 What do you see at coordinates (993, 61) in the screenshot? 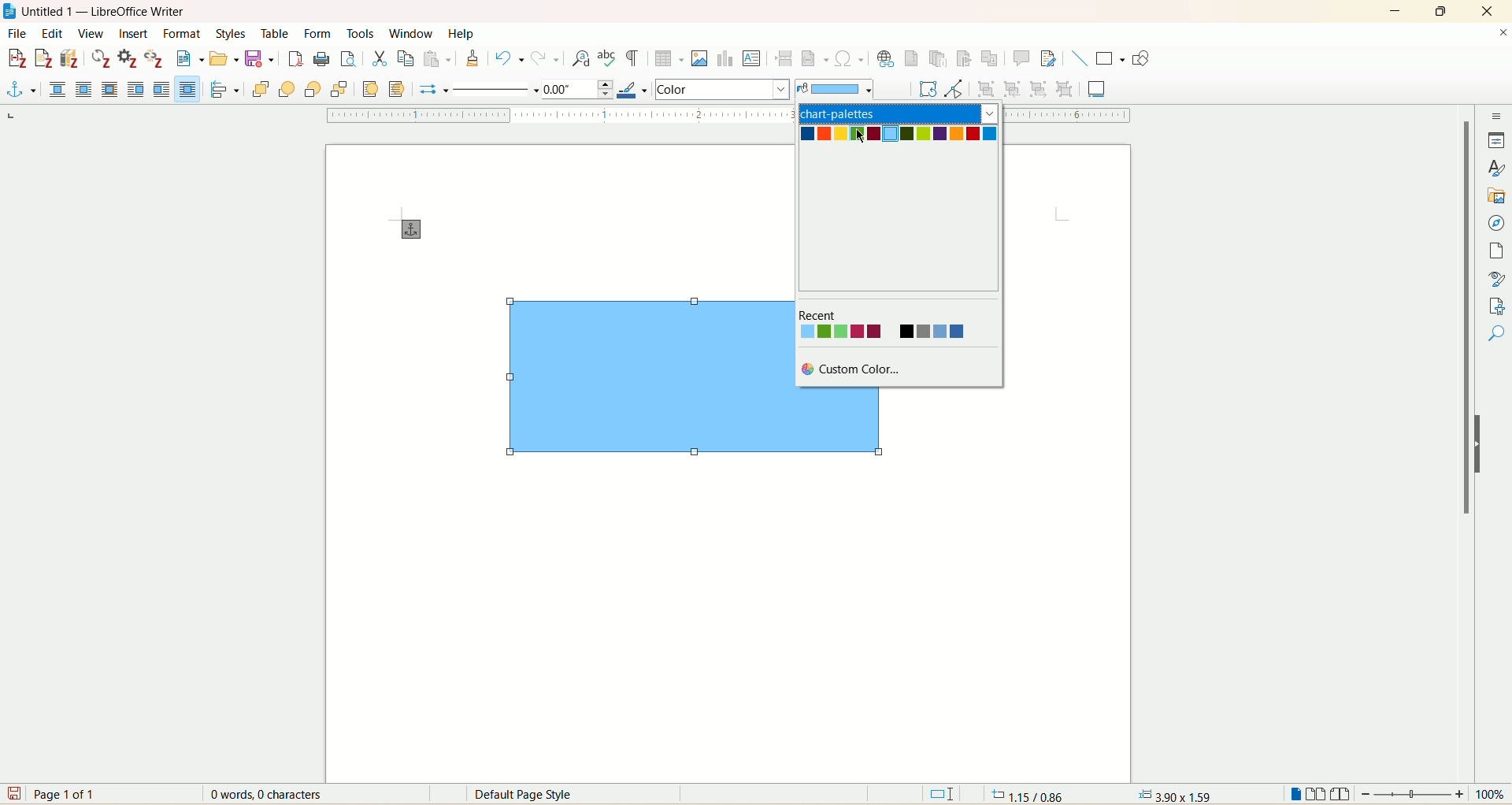
I see `insert cross referencing` at bounding box center [993, 61].